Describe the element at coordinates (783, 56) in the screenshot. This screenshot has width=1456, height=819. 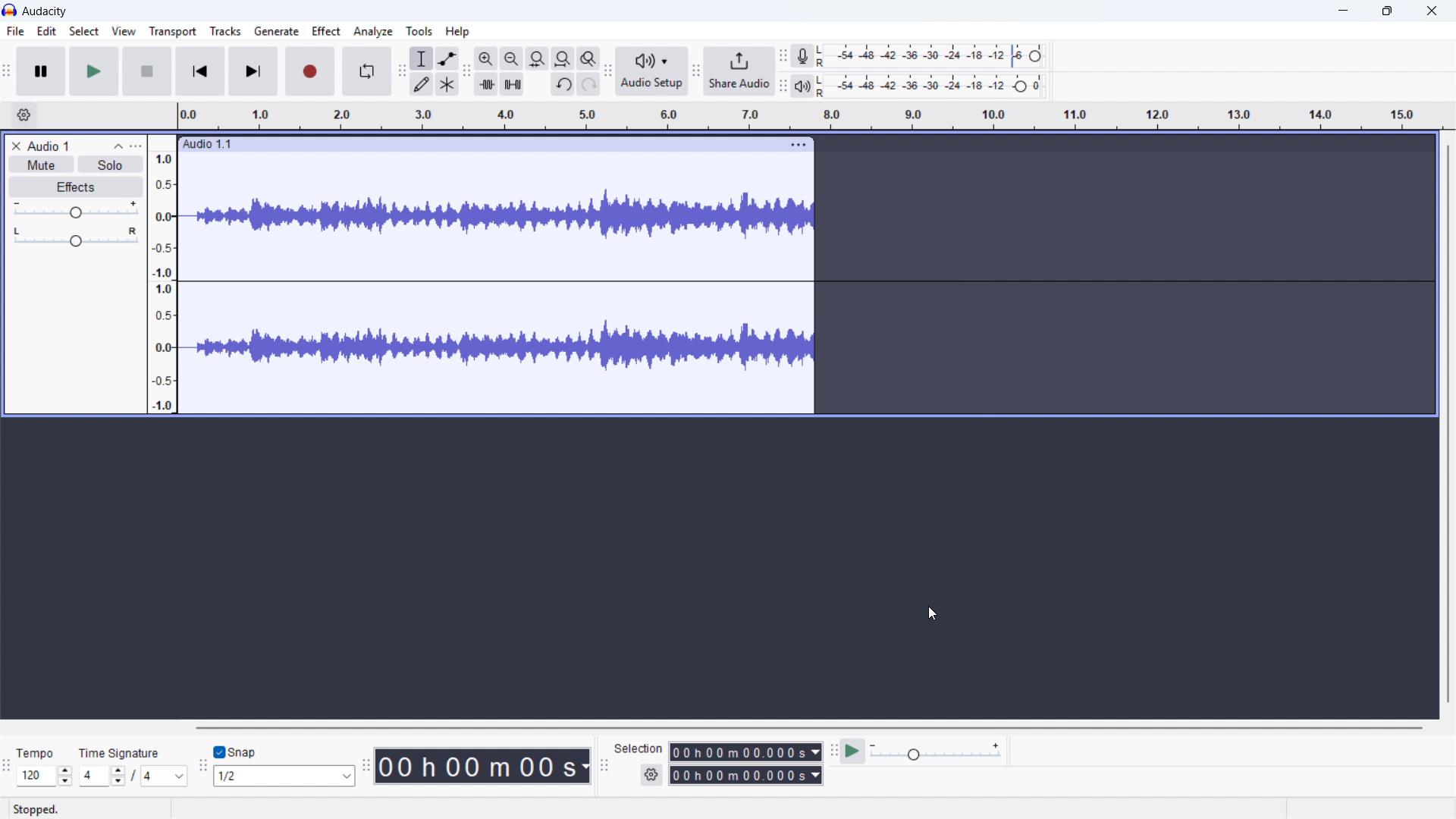
I see `Recording metre toolbar ` at that location.